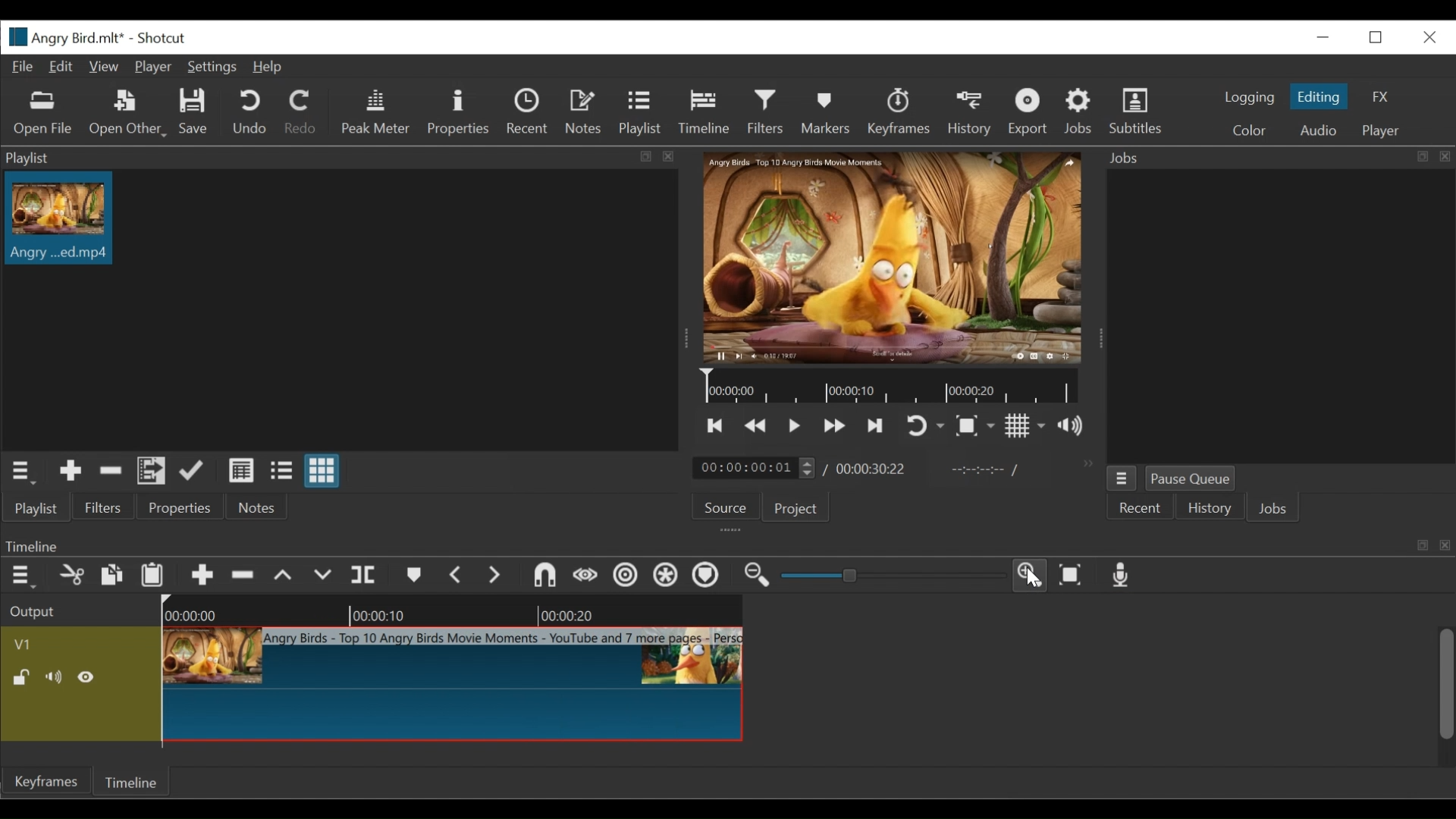 Image resolution: width=1456 pixels, height=819 pixels. Describe the element at coordinates (1071, 426) in the screenshot. I see `Show volume control` at that location.